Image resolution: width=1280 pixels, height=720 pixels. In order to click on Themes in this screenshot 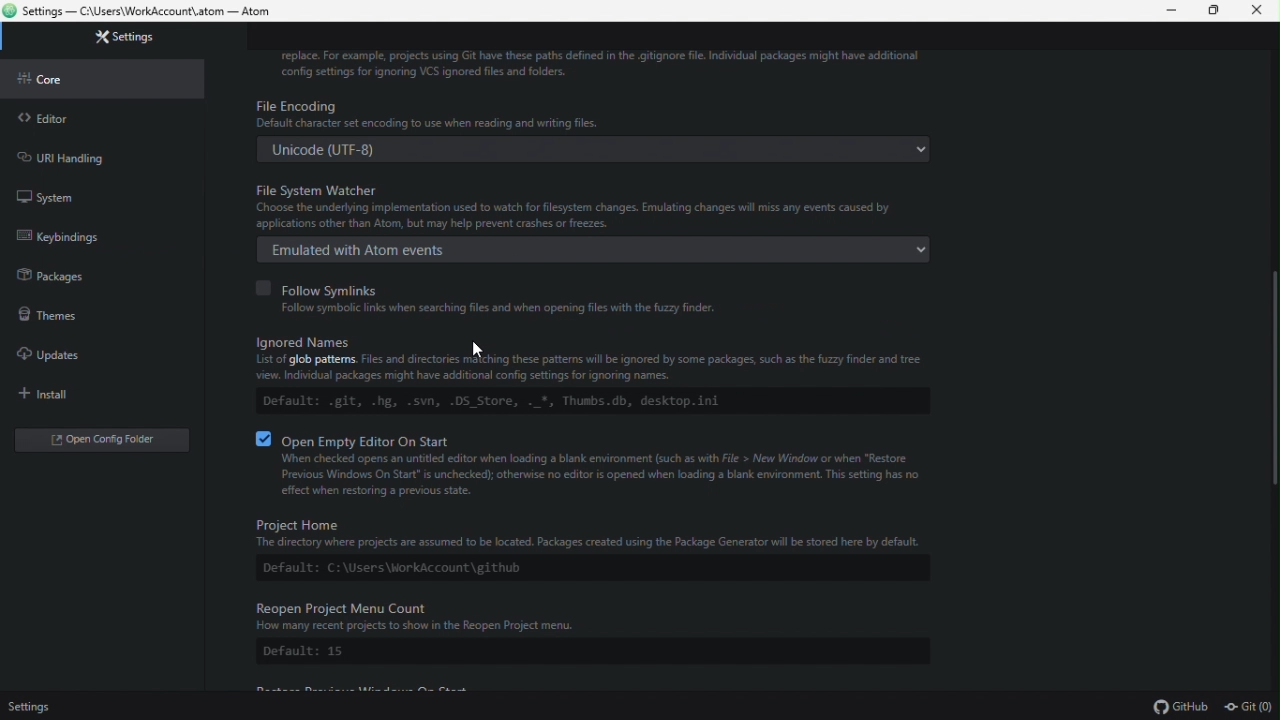, I will do `click(90, 312)`.